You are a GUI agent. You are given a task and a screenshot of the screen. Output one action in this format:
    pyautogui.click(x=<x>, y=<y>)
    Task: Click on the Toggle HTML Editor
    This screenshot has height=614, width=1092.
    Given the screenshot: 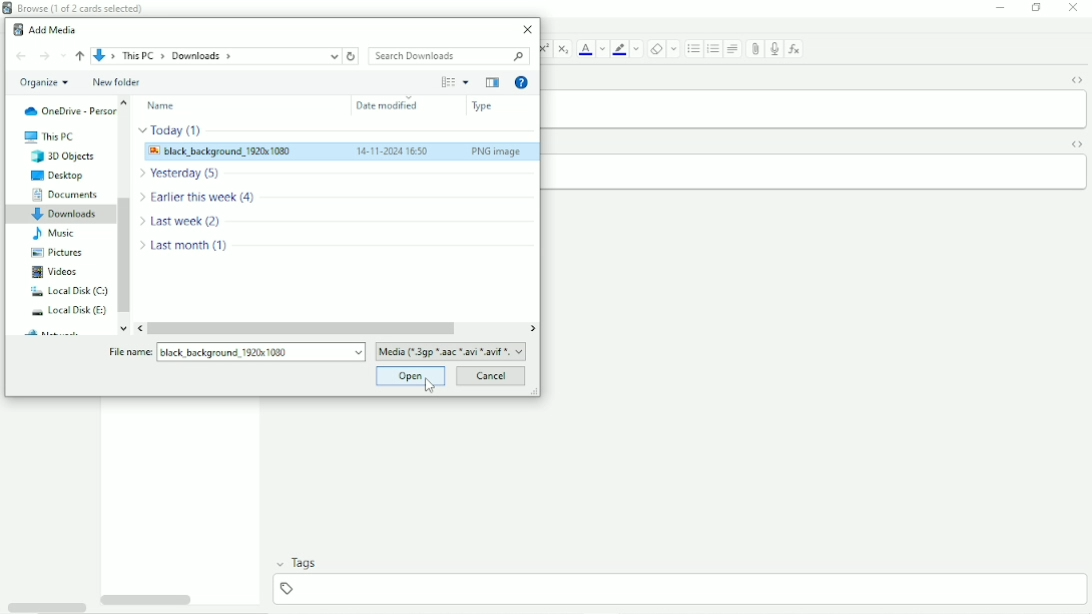 What is the action you would take?
    pyautogui.click(x=48, y=605)
    